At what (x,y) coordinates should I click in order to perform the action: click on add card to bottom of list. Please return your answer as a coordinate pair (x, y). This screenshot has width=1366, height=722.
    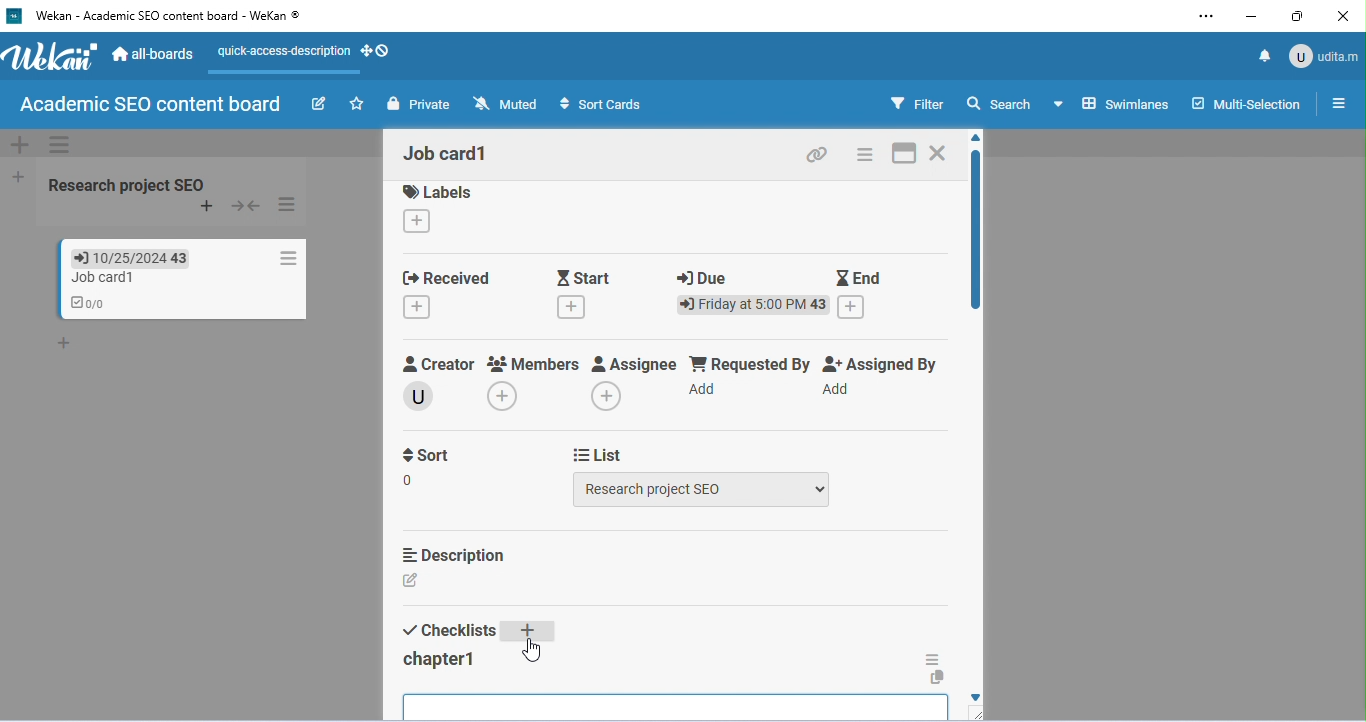
    Looking at the image, I should click on (67, 323).